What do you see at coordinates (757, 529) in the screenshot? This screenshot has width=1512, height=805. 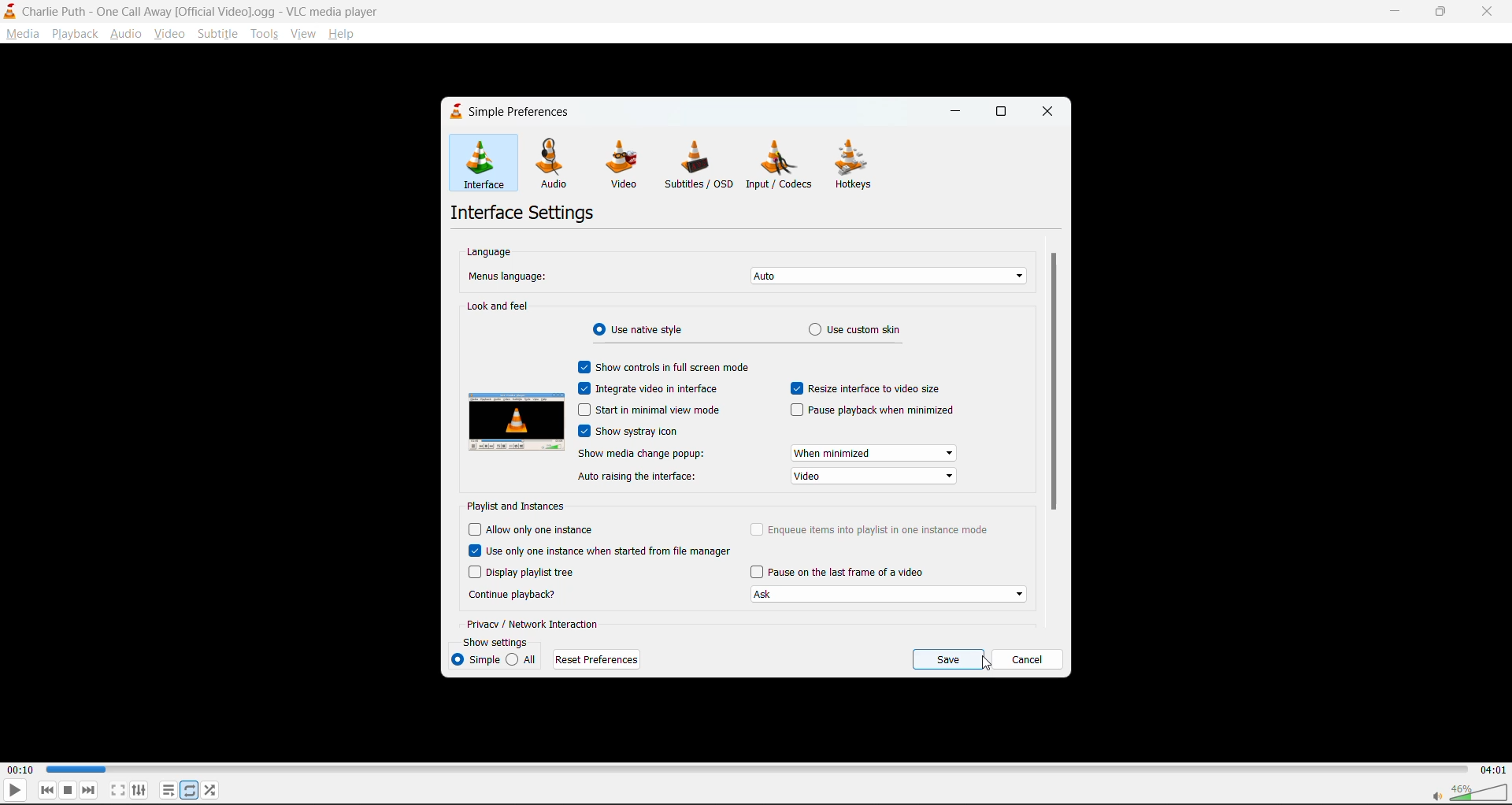 I see `Checbox` at bounding box center [757, 529].